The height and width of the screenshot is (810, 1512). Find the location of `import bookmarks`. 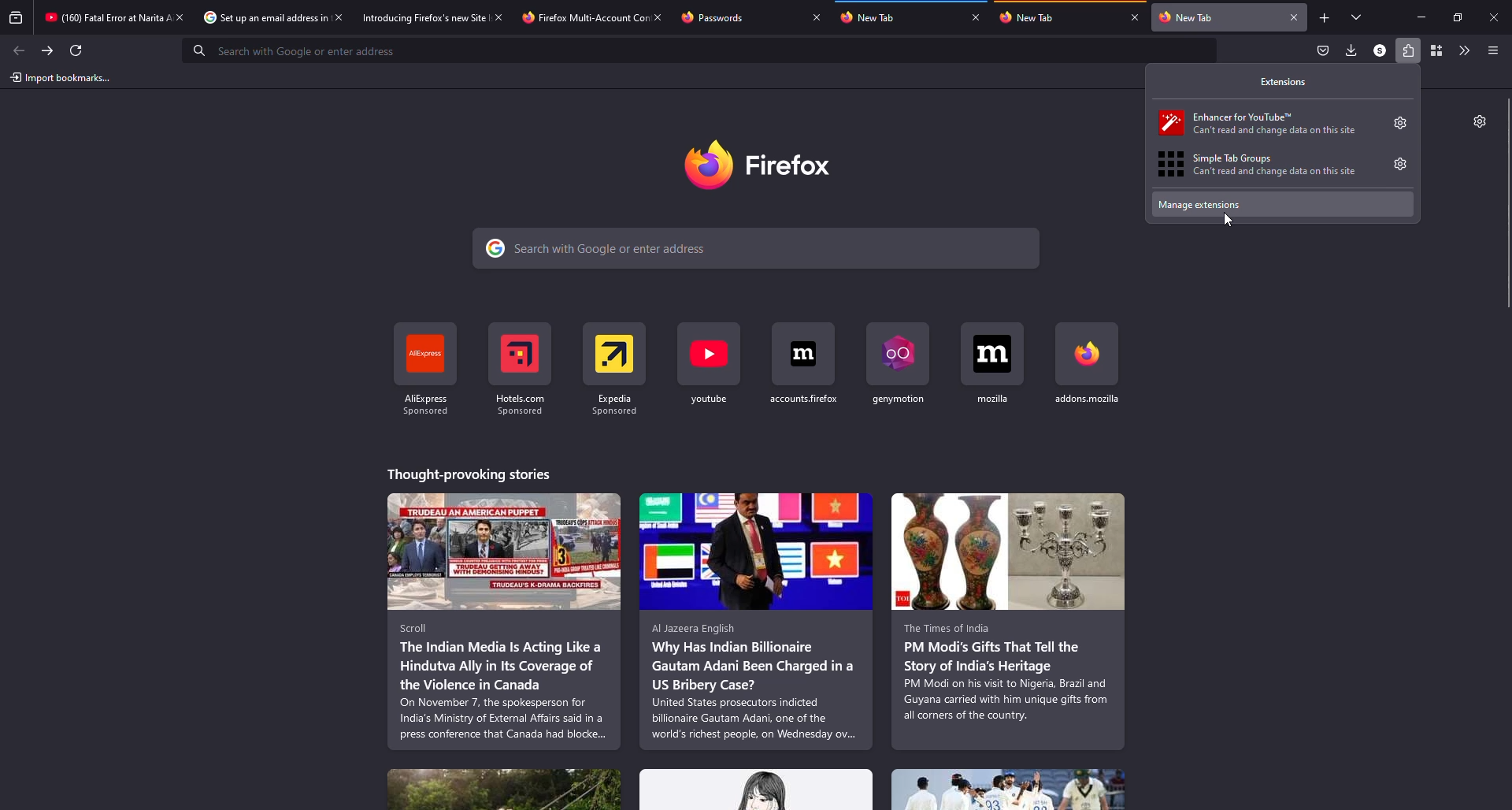

import bookmarks is located at coordinates (64, 78).